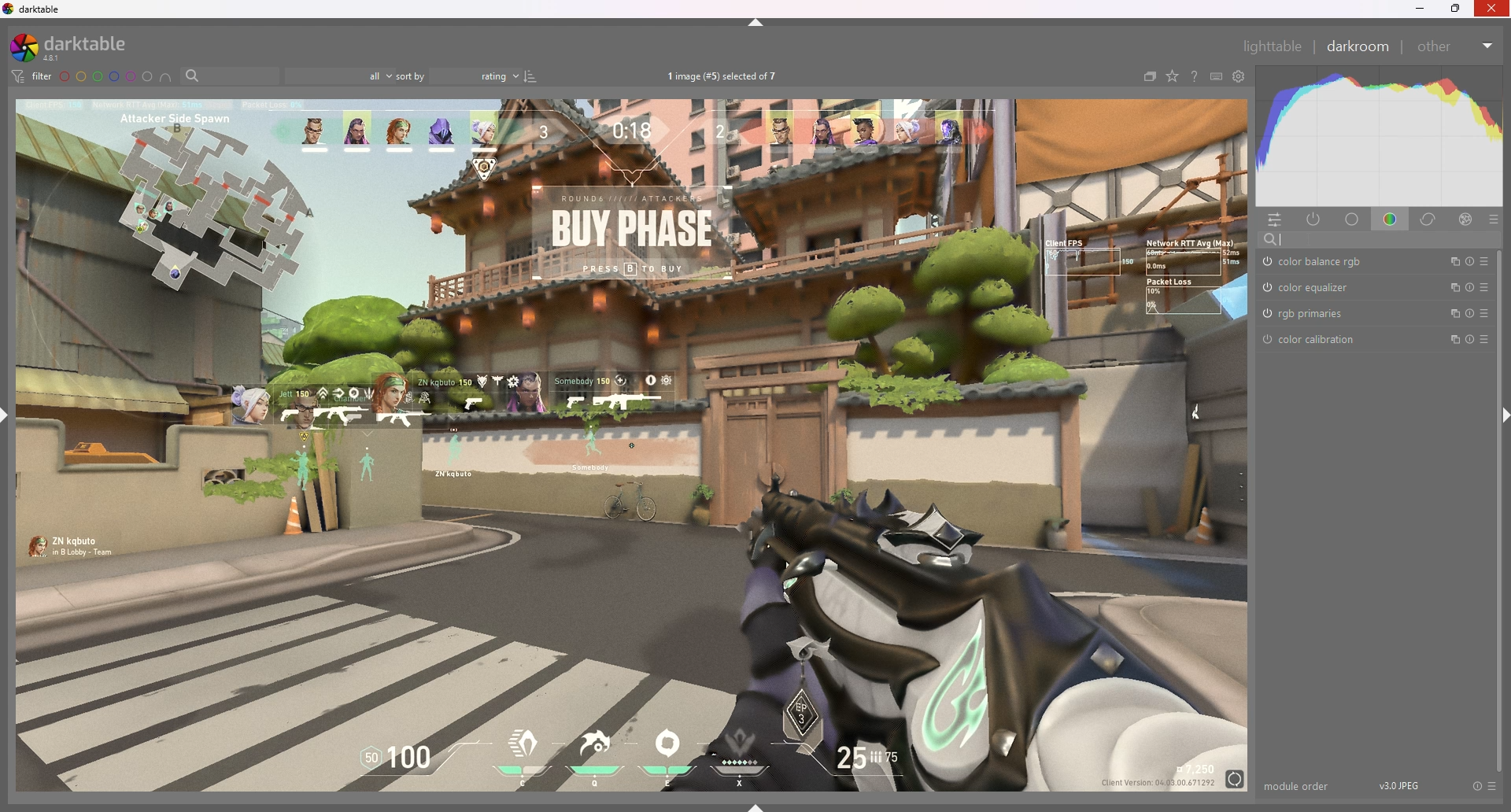 The width and height of the screenshot is (1511, 812). I want to click on keyboars shortcut, so click(1215, 76).